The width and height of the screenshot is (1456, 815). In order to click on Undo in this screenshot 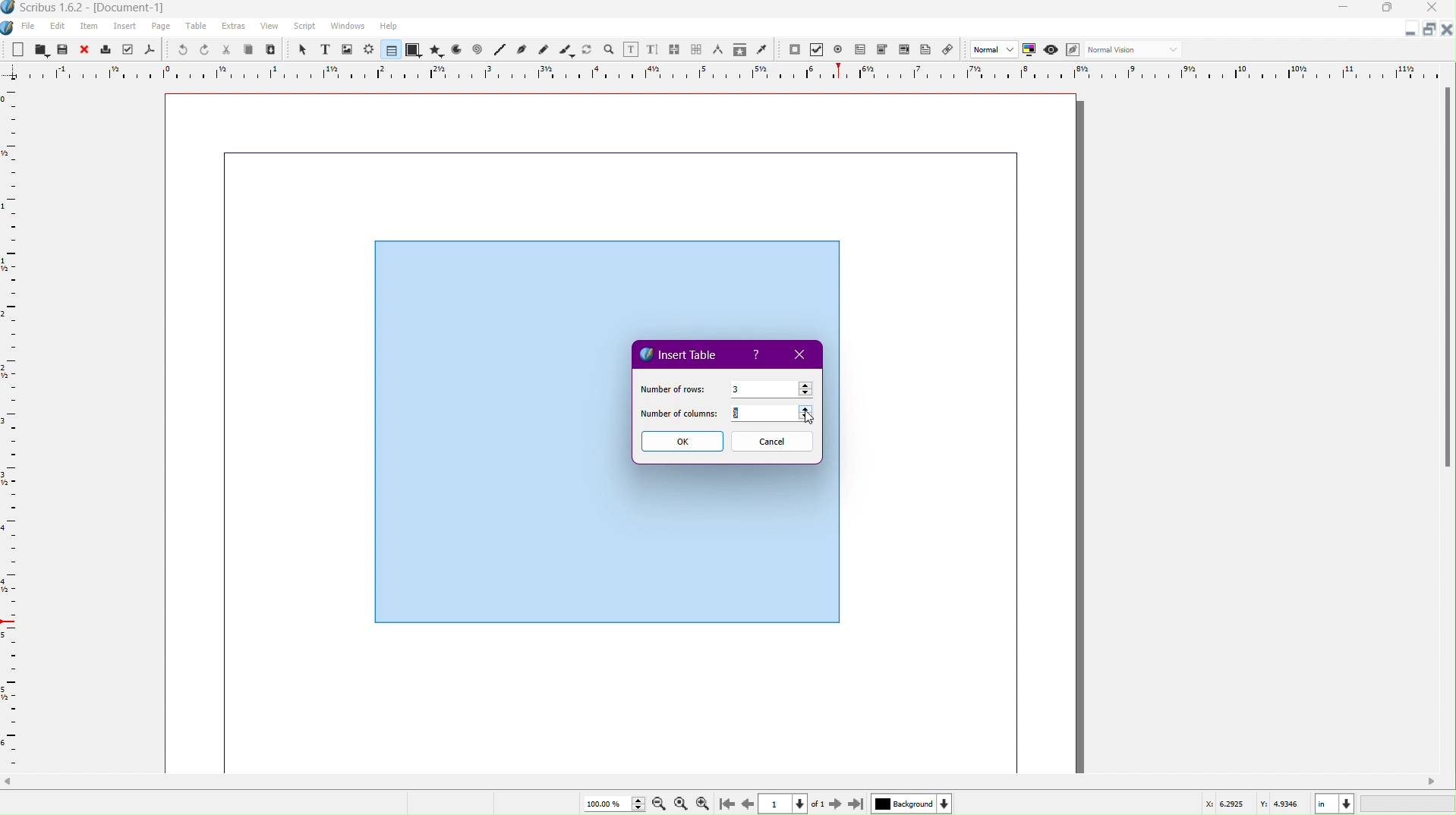, I will do `click(178, 49)`.